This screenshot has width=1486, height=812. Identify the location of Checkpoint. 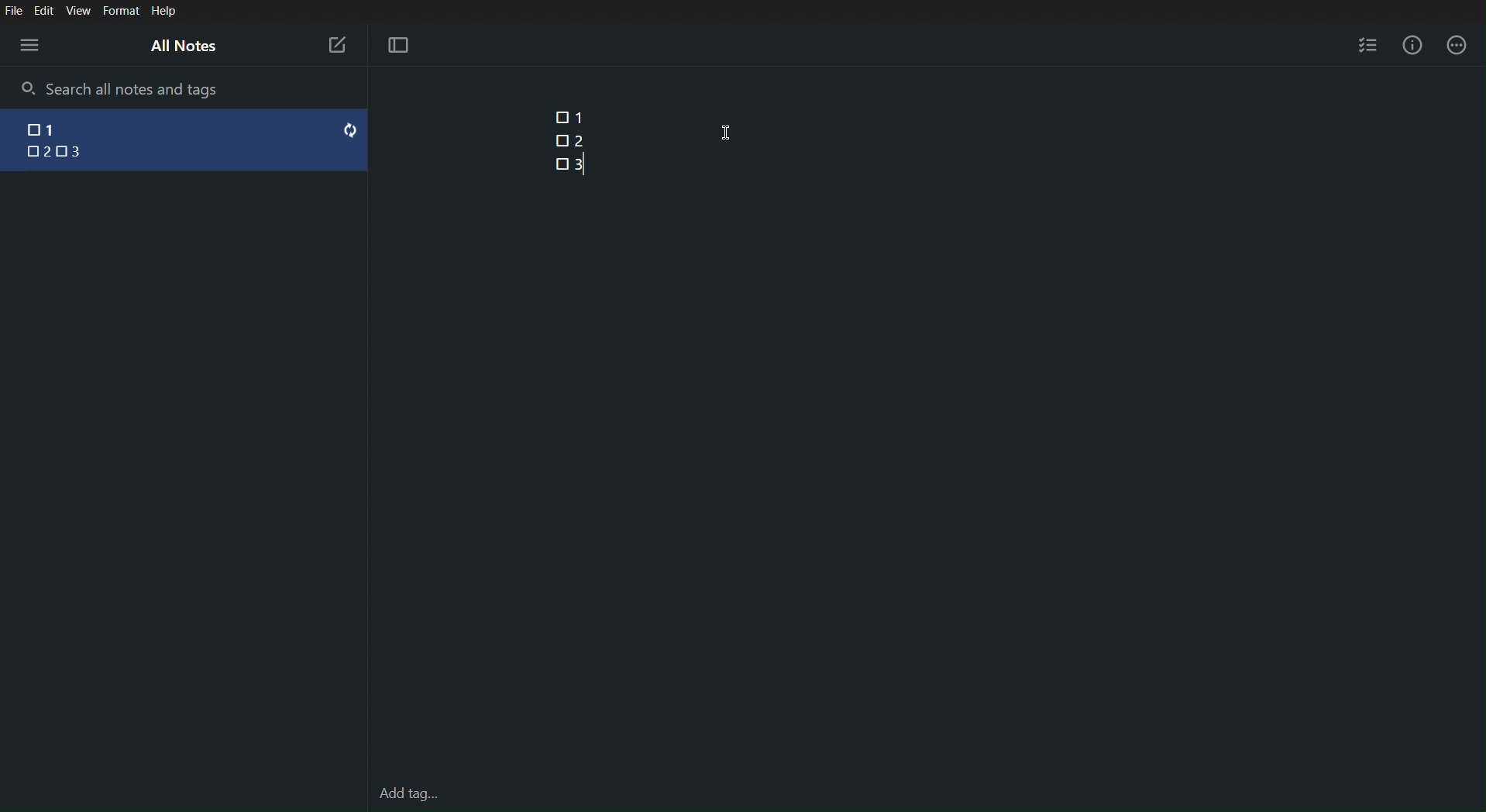
(557, 117).